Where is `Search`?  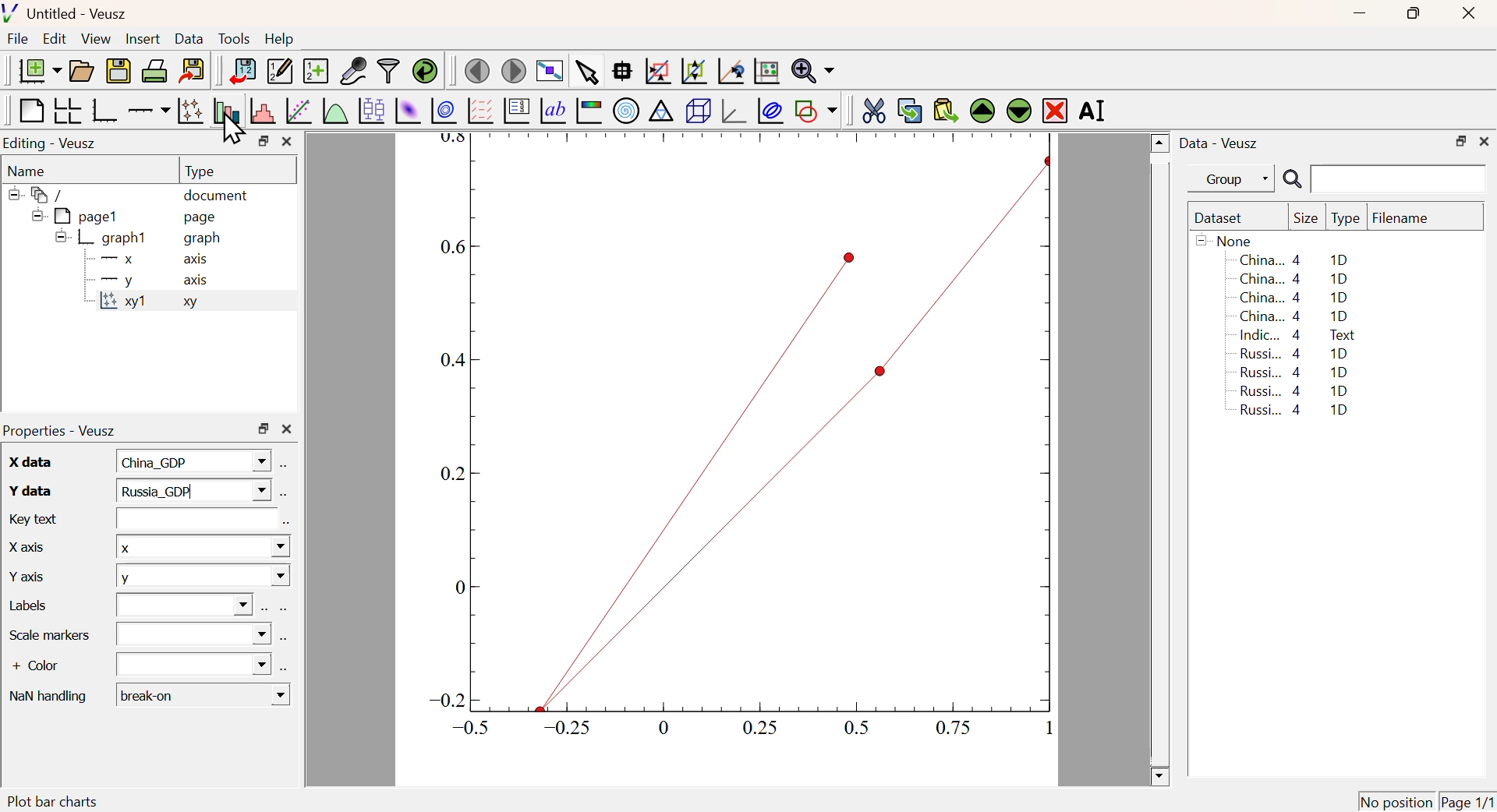
Search is located at coordinates (1292, 180).